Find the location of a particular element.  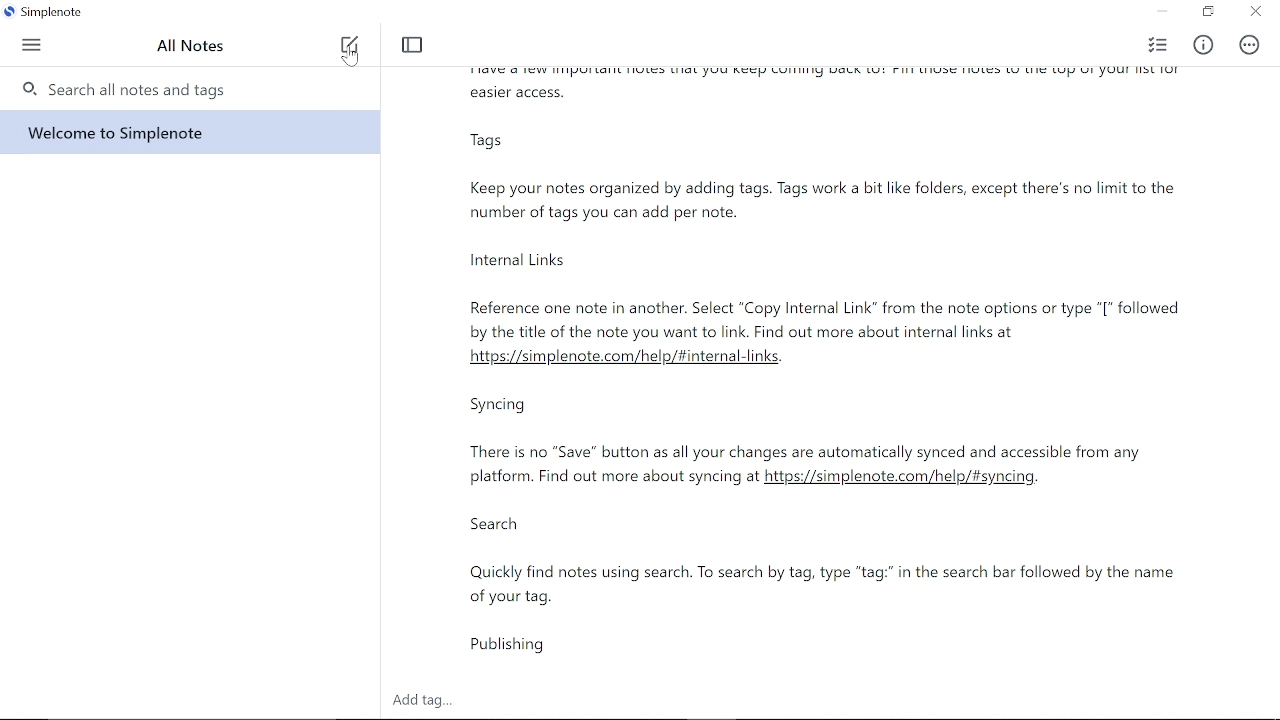

New note is located at coordinates (351, 49).